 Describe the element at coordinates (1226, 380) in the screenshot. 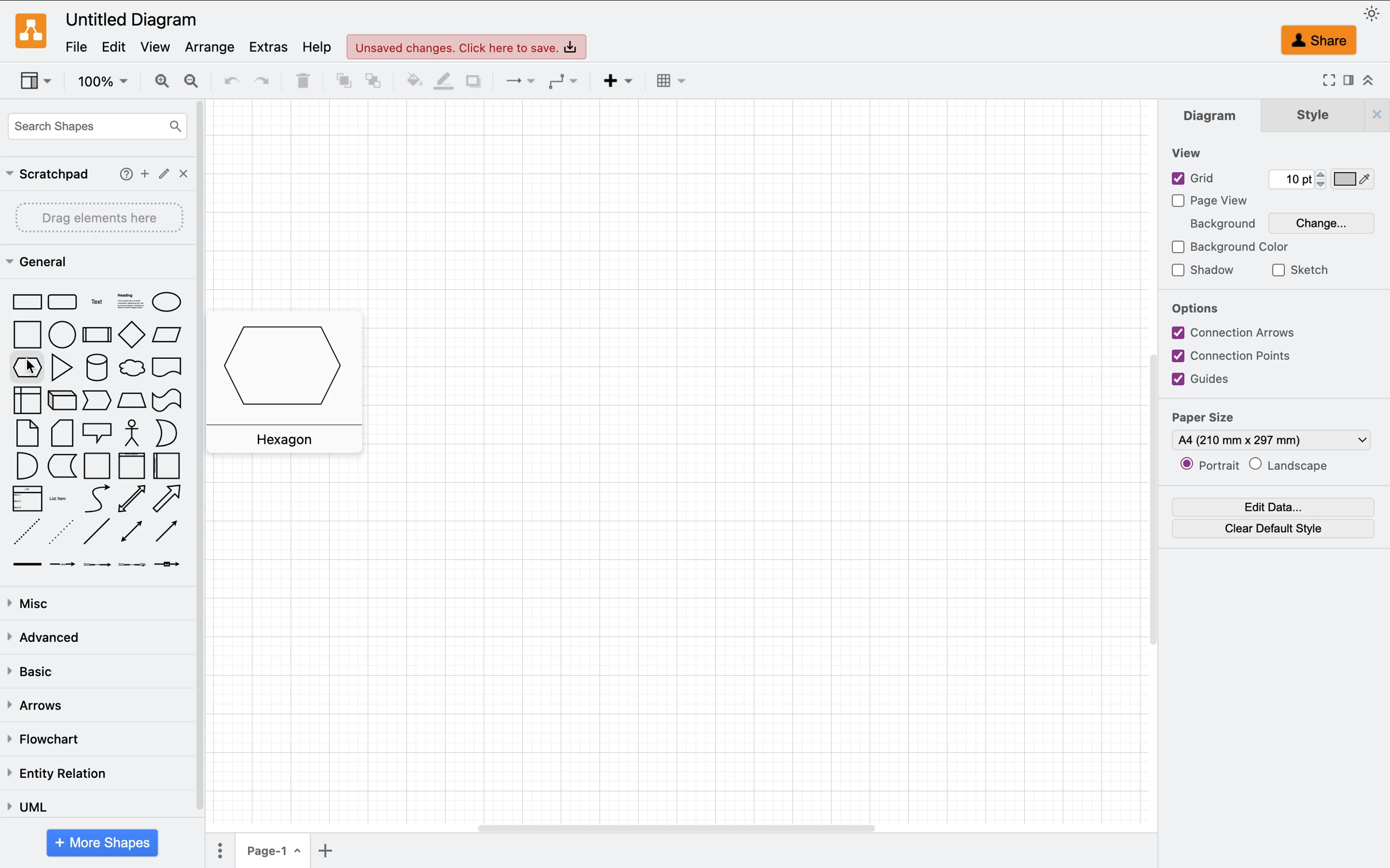

I see `guides` at that location.